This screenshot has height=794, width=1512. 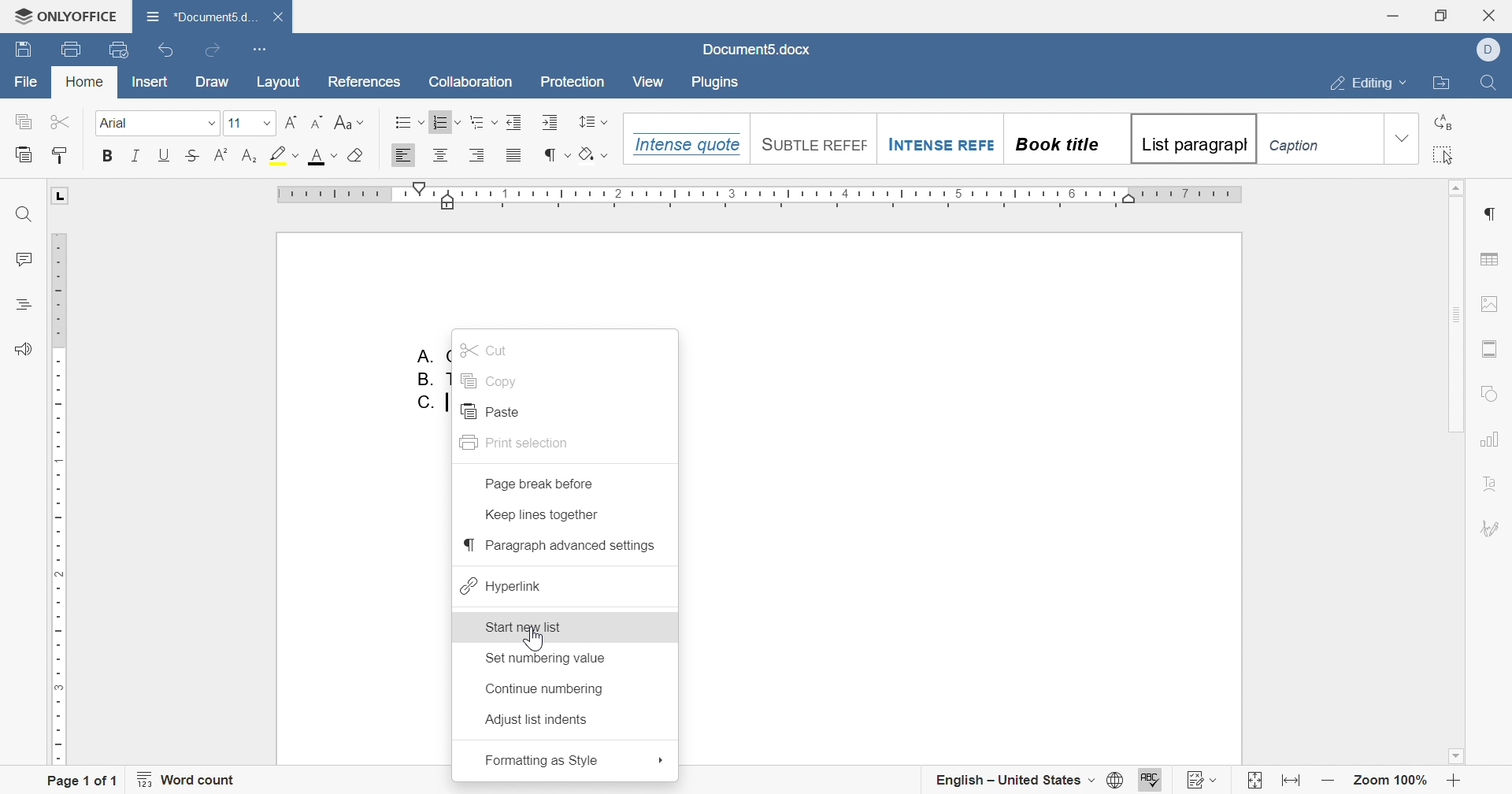 What do you see at coordinates (1489, 305) in the screenshot?
I see `image settings` at bounding box center [1489, 305].